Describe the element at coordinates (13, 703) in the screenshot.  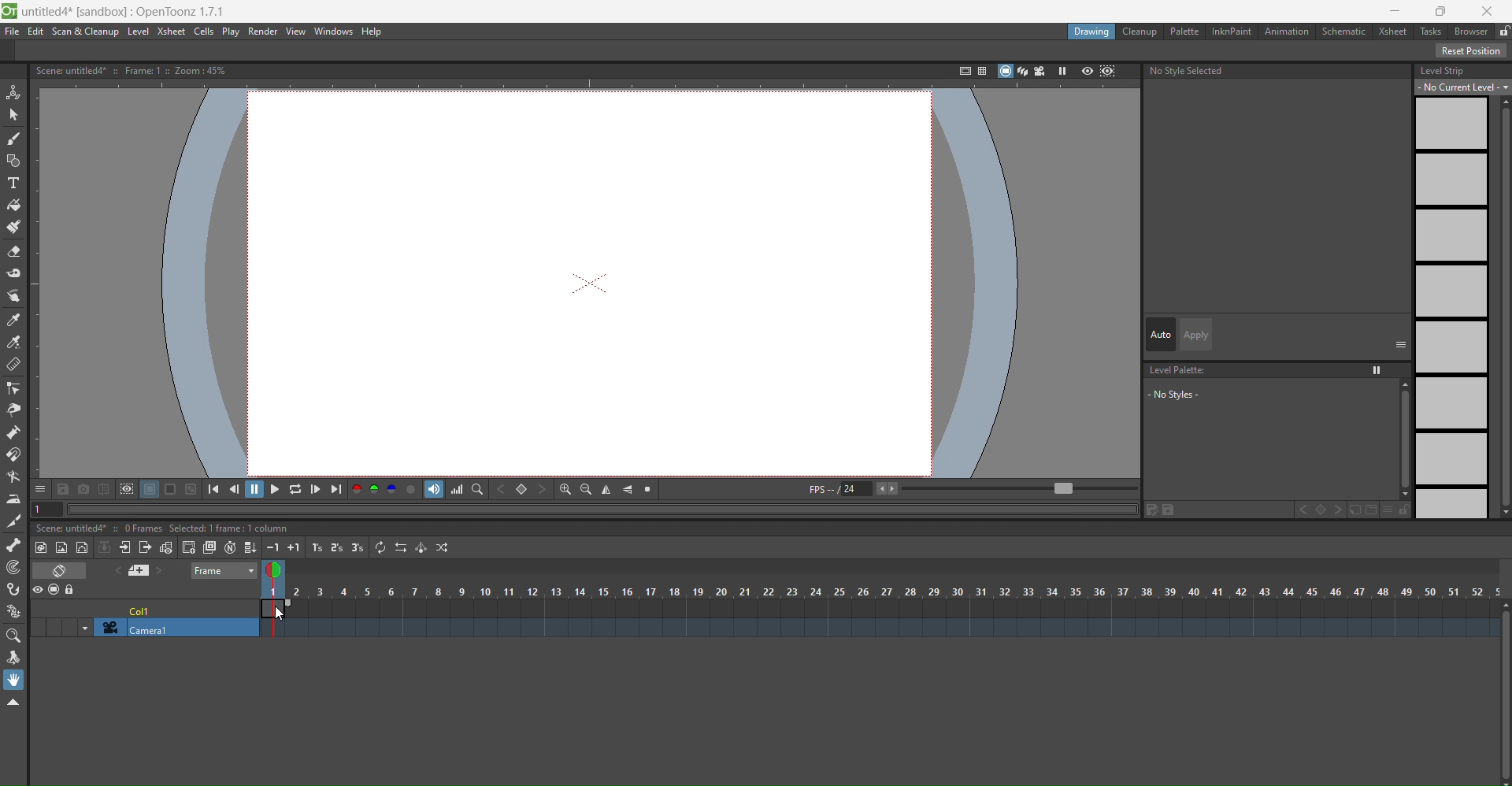
I see `collapse toolbar` at that location.